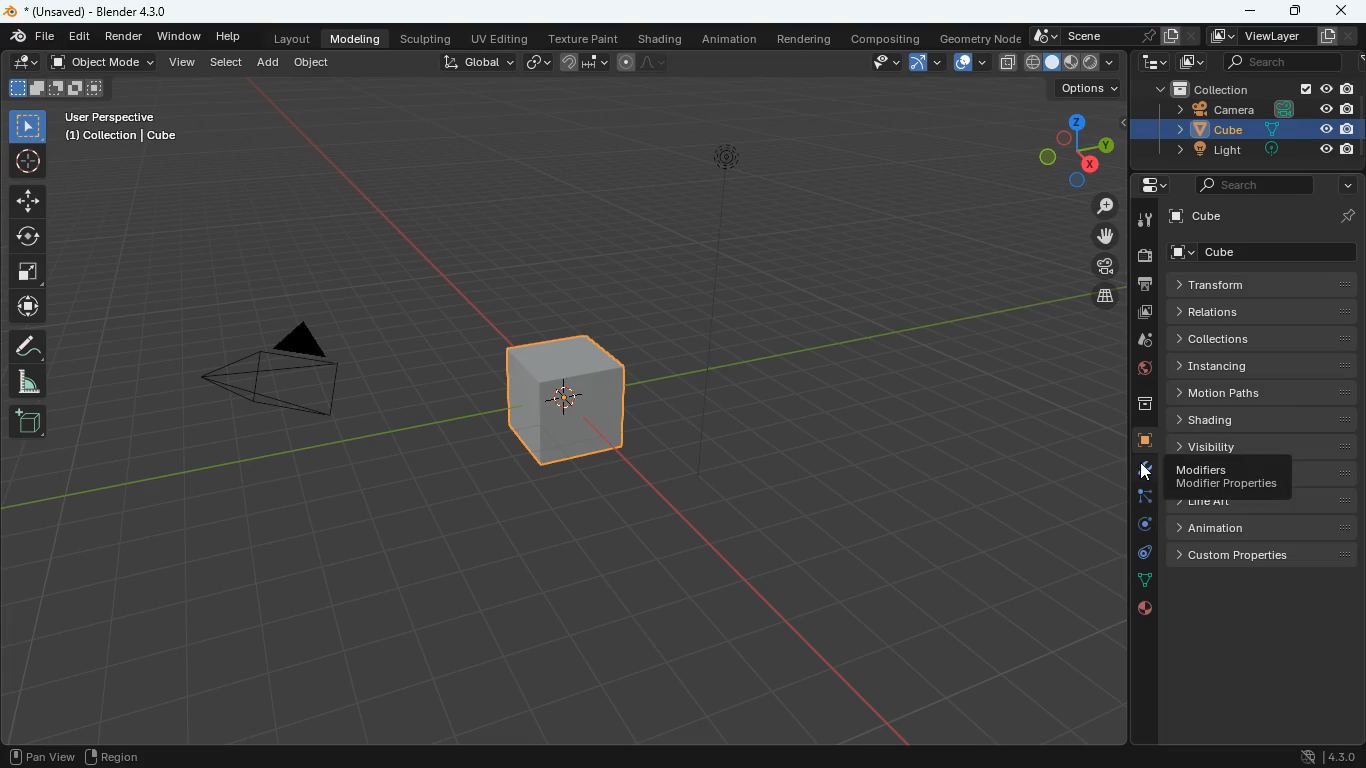 The height and width of the screenshot is (768, 1366). Describe the element at coordinates (1263, 285) in the screenshot. I see `transform` at that location.